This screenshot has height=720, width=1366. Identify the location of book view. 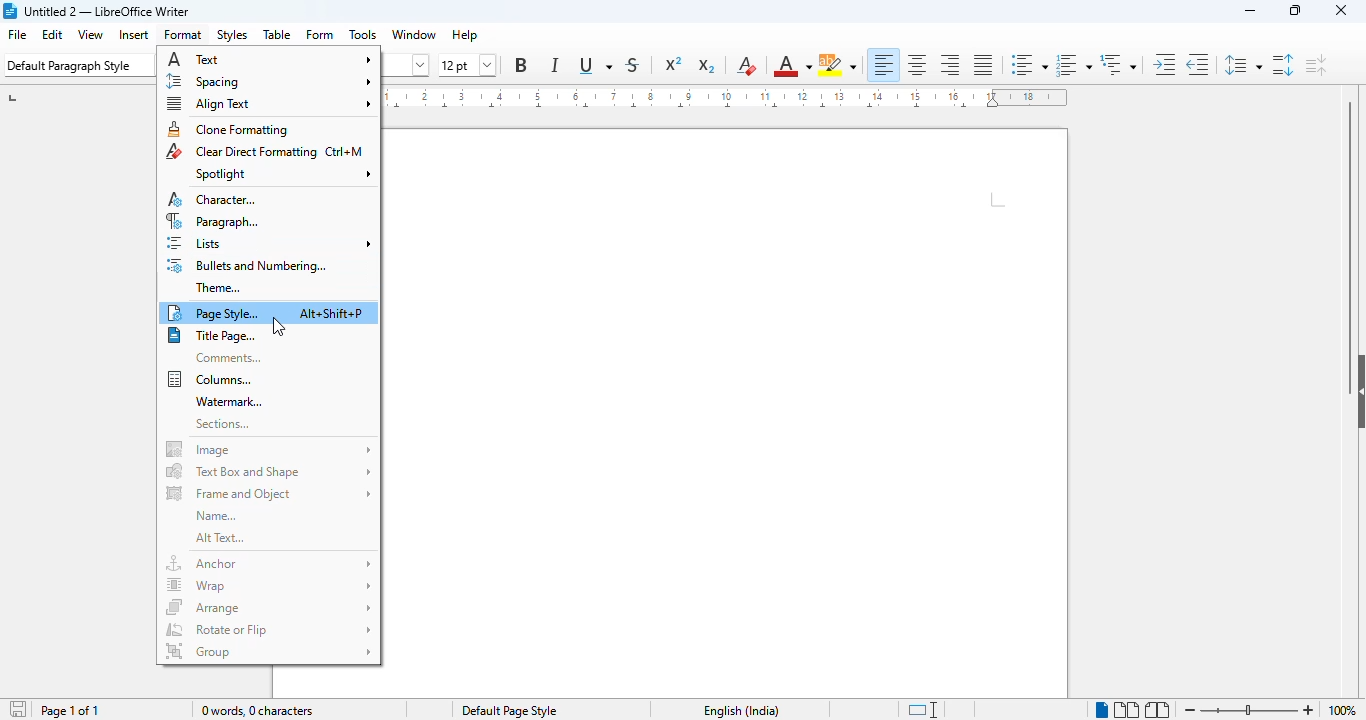
(1159, 709).